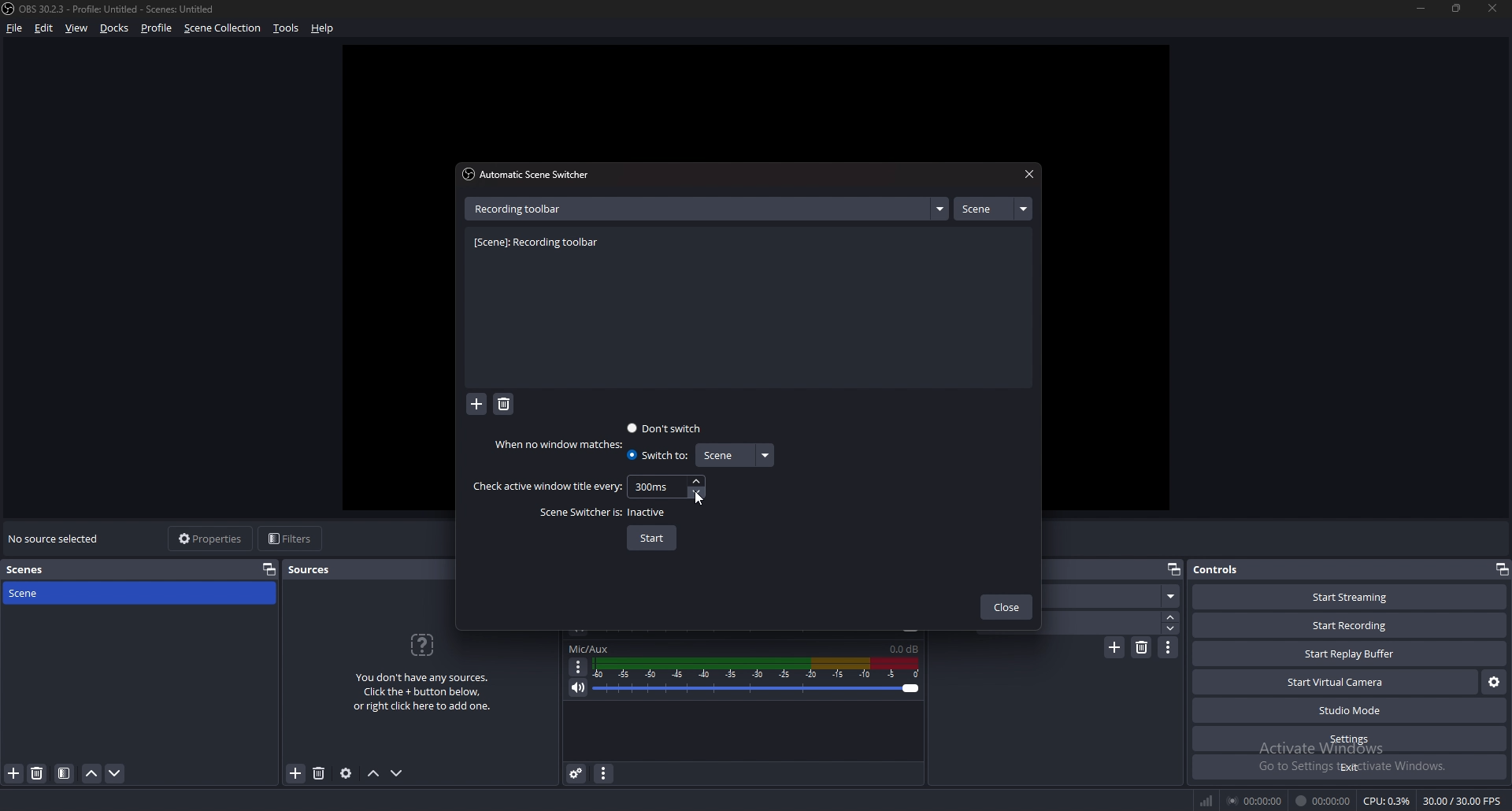  What do you see at coordinates (1351, 654) in the screenshot?
I see `start replay buffer` at bounding box center [1351, 654].